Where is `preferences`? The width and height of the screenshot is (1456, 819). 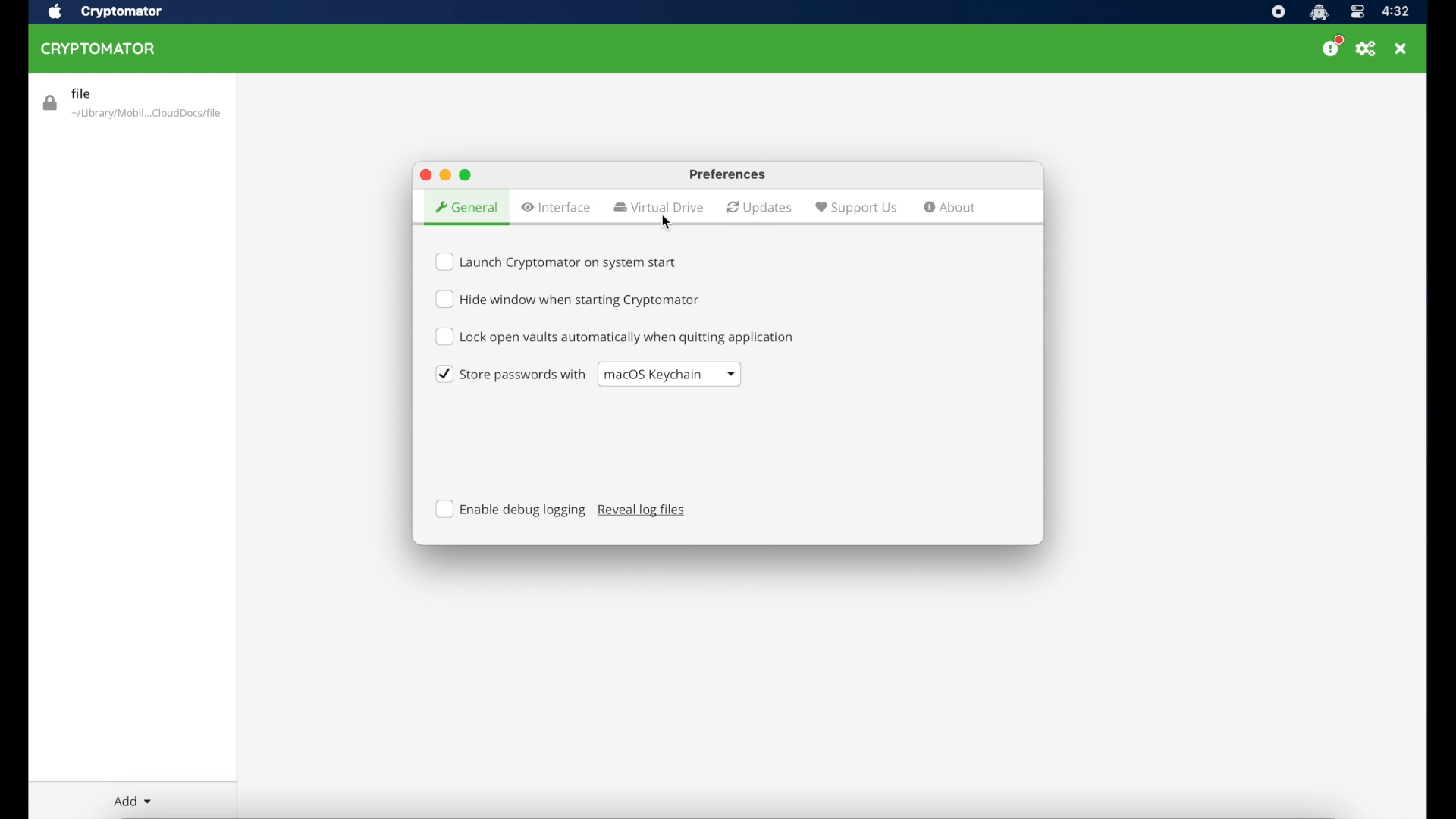
preferences is located at coordinates (1367, 49).